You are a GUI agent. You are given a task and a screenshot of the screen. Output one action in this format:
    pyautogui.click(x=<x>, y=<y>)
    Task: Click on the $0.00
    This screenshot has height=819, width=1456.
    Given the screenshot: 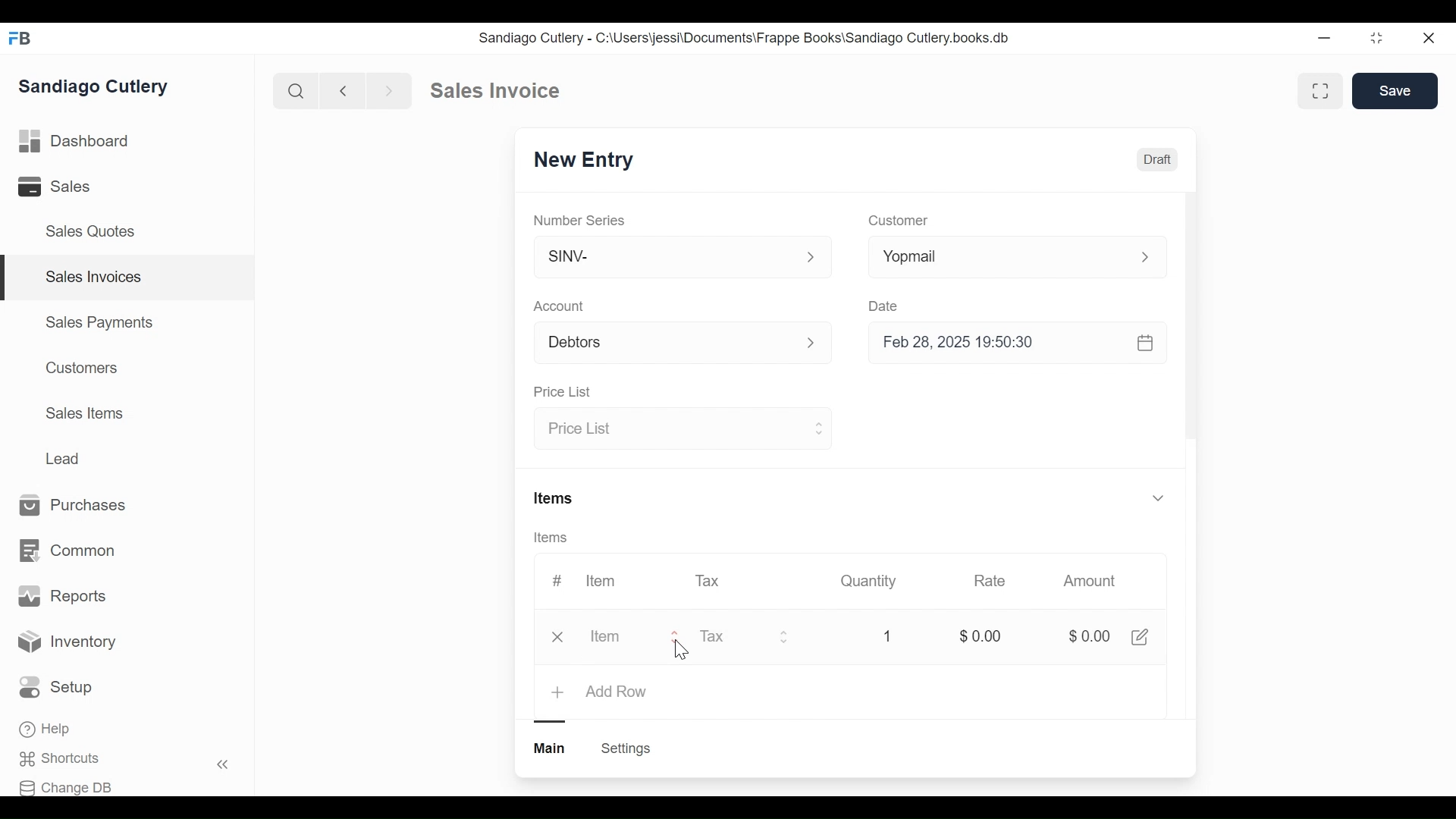 What is the action you would take?
    pyautogui.click(x=980, y=634)
    